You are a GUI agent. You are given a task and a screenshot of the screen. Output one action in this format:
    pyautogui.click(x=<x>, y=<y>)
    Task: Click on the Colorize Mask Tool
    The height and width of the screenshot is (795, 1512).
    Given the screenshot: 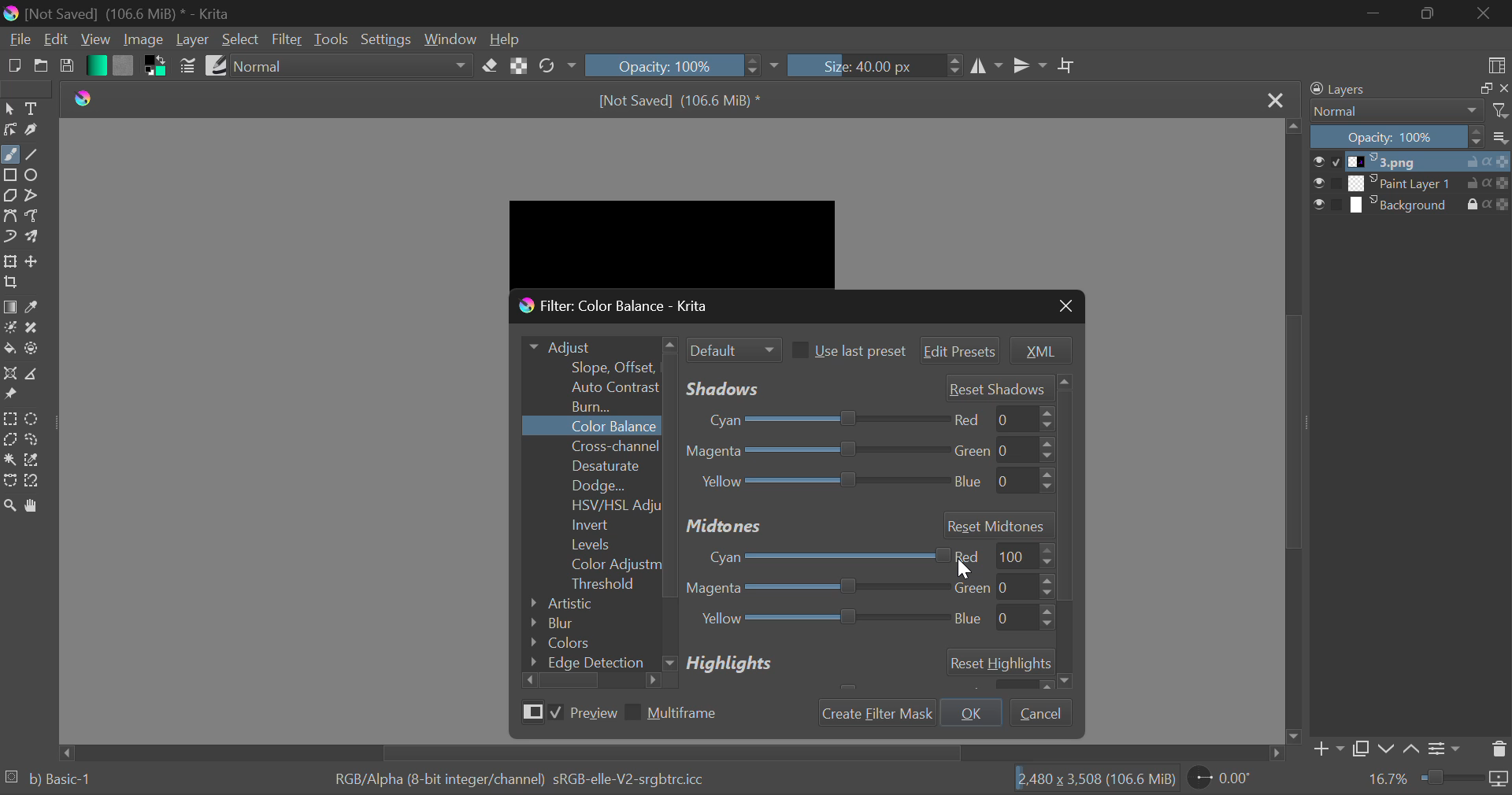 What is the action you would take?
    pyautogui.click(x=11, y=329)
    